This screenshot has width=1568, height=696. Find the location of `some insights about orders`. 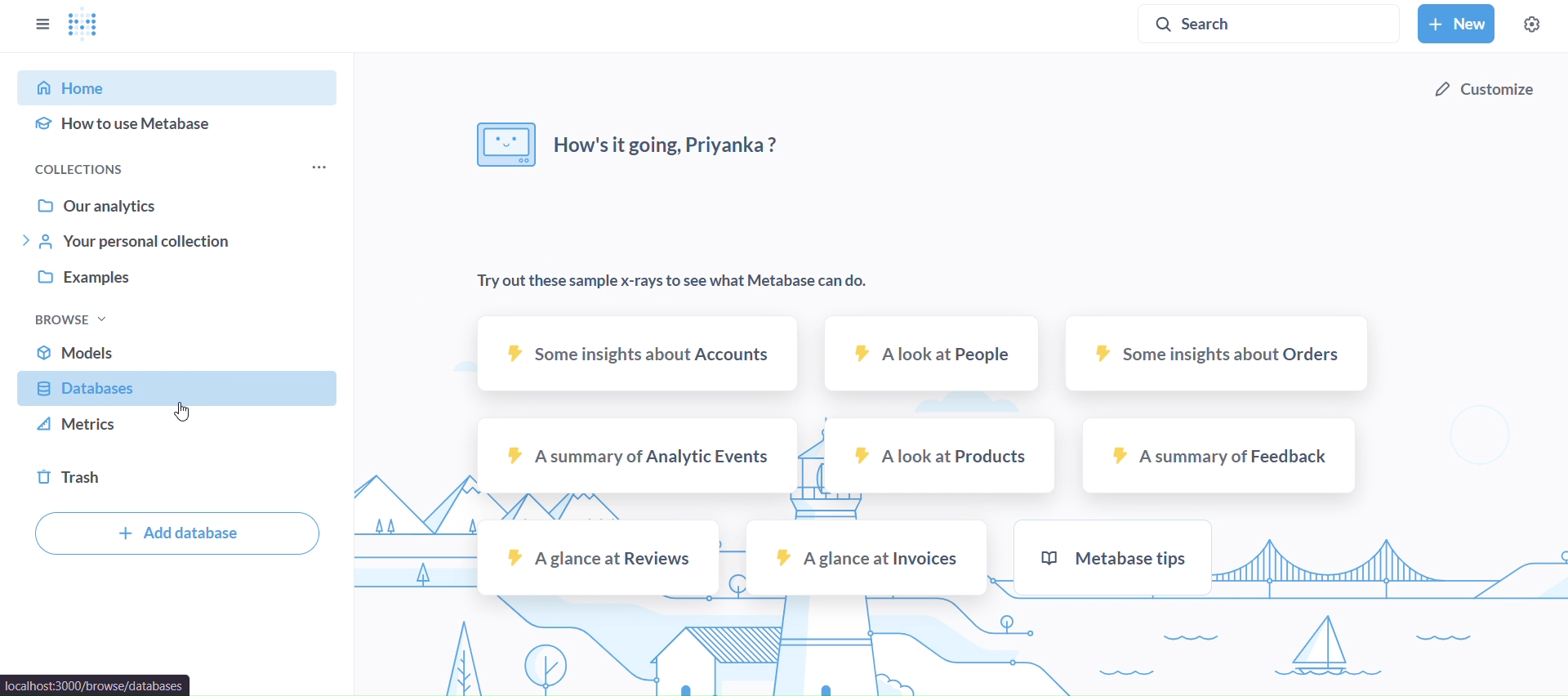

some insights about orders is located at coordinates (1218, 351).